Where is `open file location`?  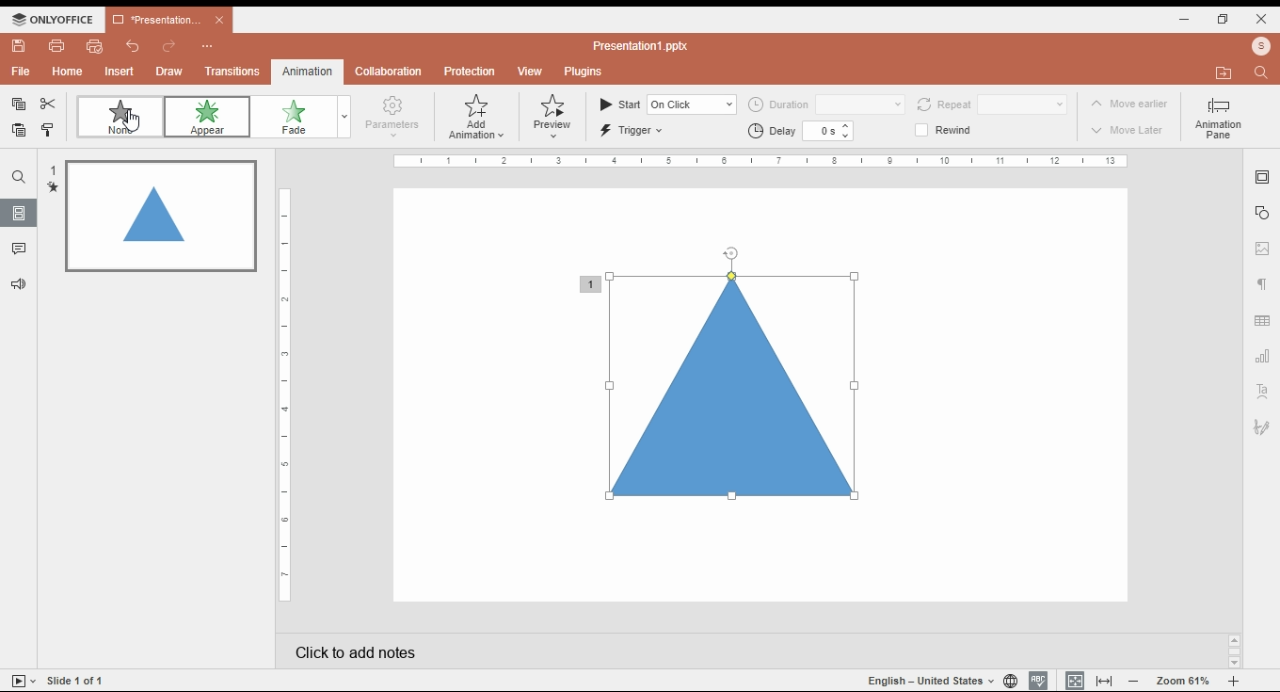 open file location is located at coordinates (1225, 74).